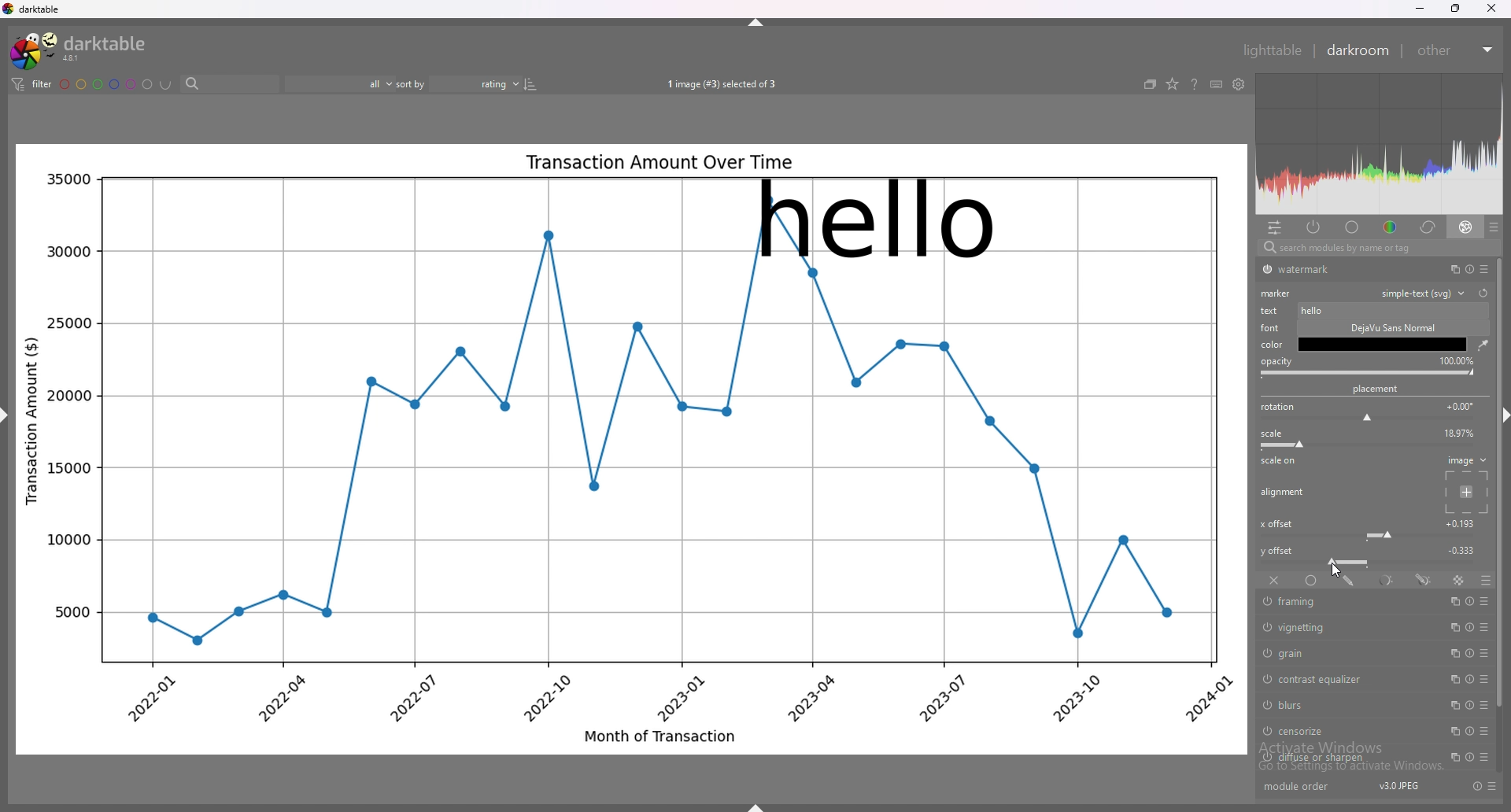 This screenshot has width=1511, height=812. Describe the element at coordinates (1456, 433) in the screenshot. I see `scale percentage` at that location.